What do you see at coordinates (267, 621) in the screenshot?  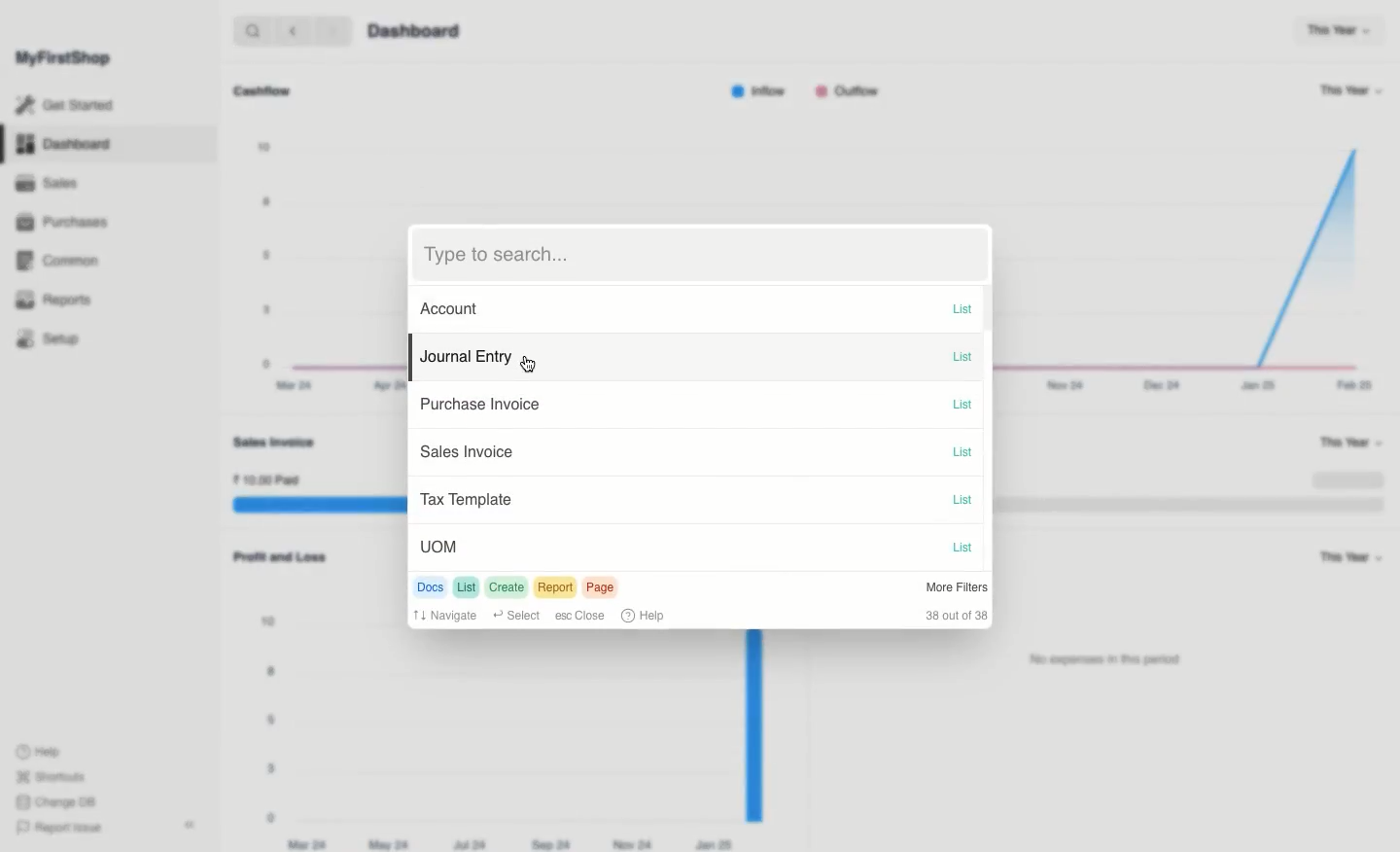 I see `10` at bounding box center [267, 621].